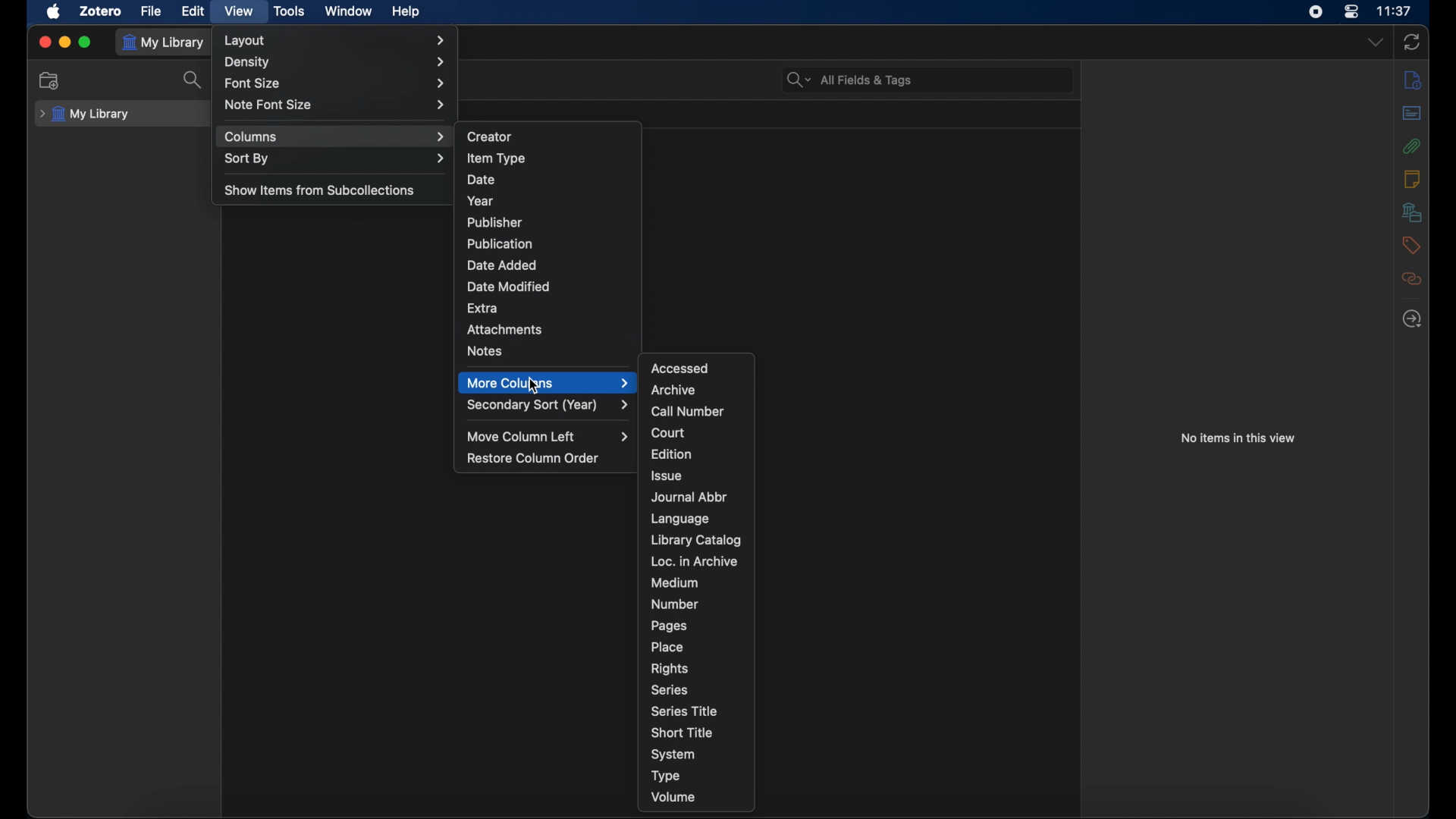 Image resolution: width=1456 pixels, height=819 pixels. I want to click on date, so click(481, 180).